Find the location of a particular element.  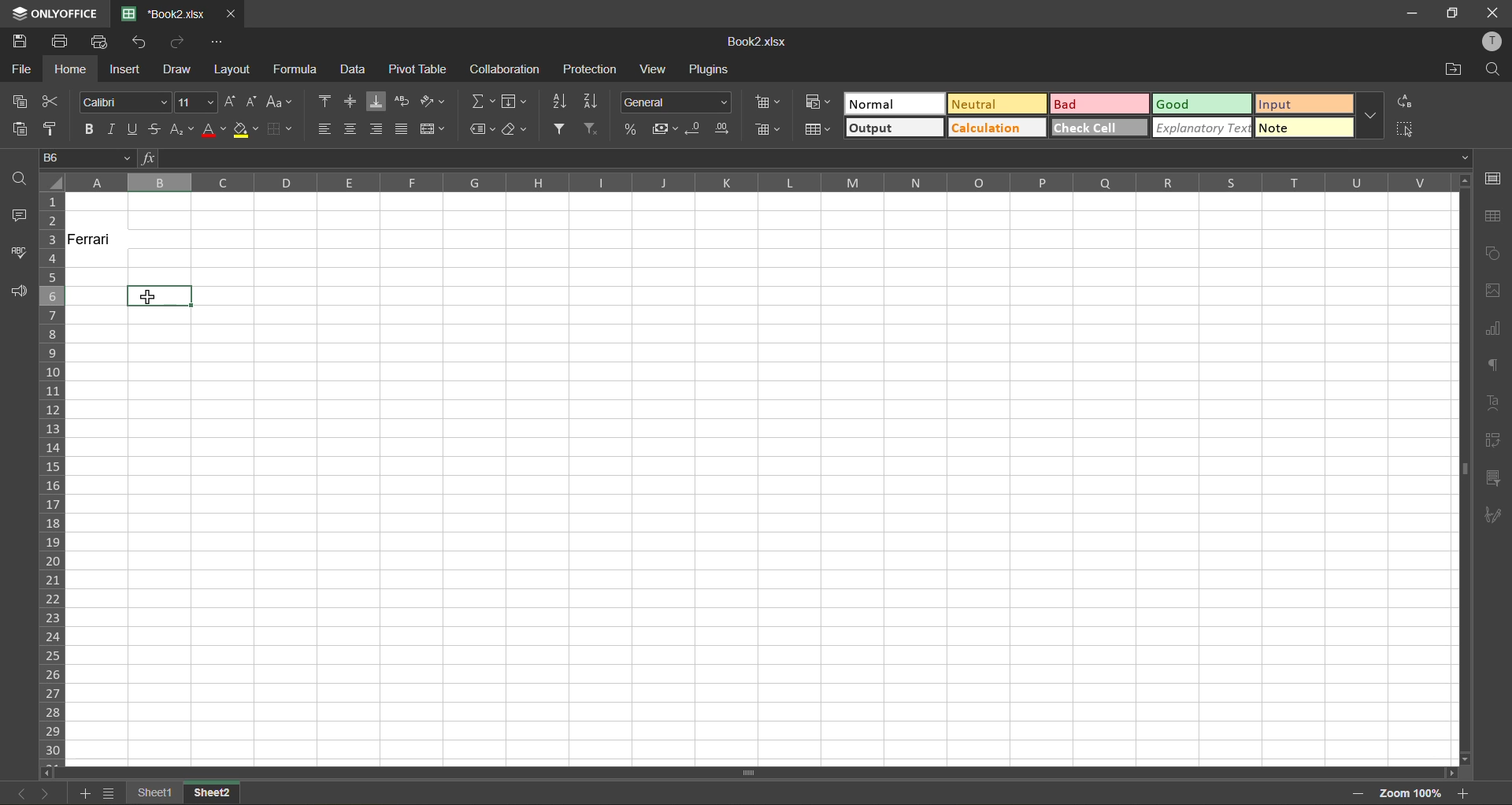

quick print is located at coordinates (99, 43).